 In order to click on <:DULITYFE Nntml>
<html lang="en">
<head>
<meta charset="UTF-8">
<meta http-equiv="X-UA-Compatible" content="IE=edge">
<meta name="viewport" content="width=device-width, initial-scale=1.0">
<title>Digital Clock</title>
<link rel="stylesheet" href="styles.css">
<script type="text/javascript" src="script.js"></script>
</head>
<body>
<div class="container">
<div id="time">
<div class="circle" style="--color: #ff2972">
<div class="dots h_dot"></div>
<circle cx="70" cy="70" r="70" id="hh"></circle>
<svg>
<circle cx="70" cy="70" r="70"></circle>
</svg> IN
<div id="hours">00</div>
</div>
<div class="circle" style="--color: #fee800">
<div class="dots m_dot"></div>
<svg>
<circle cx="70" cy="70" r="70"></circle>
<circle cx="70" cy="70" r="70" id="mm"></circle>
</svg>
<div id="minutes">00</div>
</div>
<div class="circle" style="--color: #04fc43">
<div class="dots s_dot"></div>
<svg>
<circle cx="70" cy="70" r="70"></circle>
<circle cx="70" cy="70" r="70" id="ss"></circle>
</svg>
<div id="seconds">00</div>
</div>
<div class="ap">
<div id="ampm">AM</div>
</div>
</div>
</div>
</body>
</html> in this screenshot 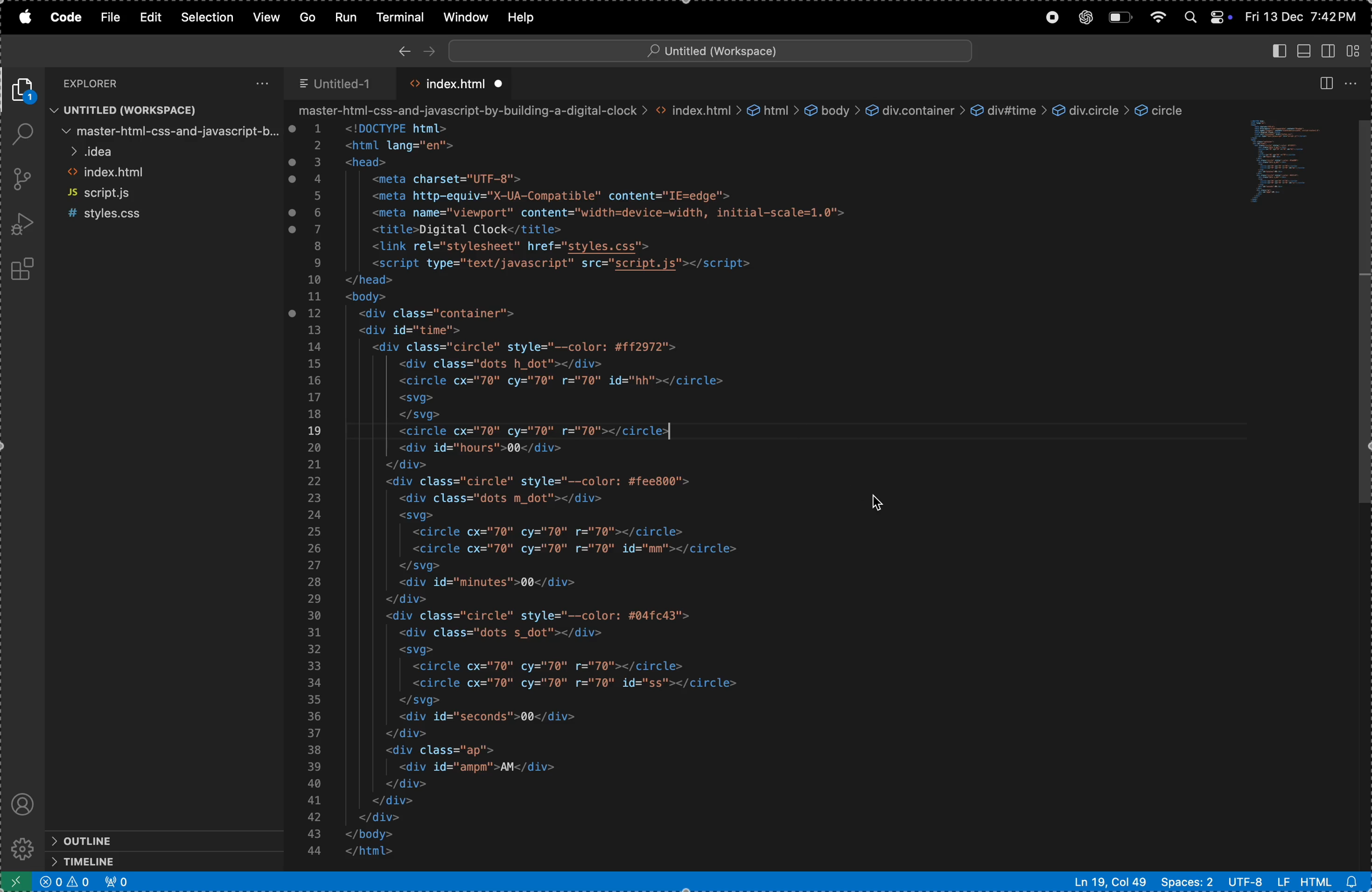, I will do `click(636, 493)`.